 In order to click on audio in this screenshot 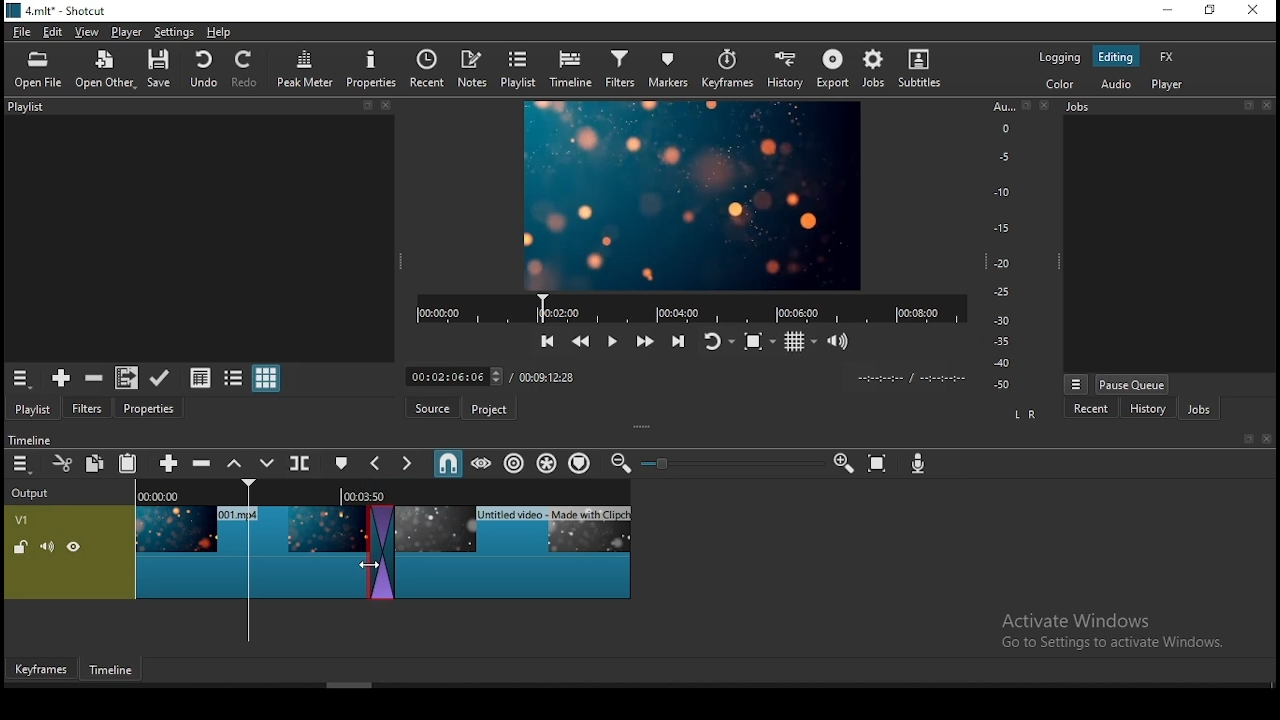, I will do `click(1120, 84)`.